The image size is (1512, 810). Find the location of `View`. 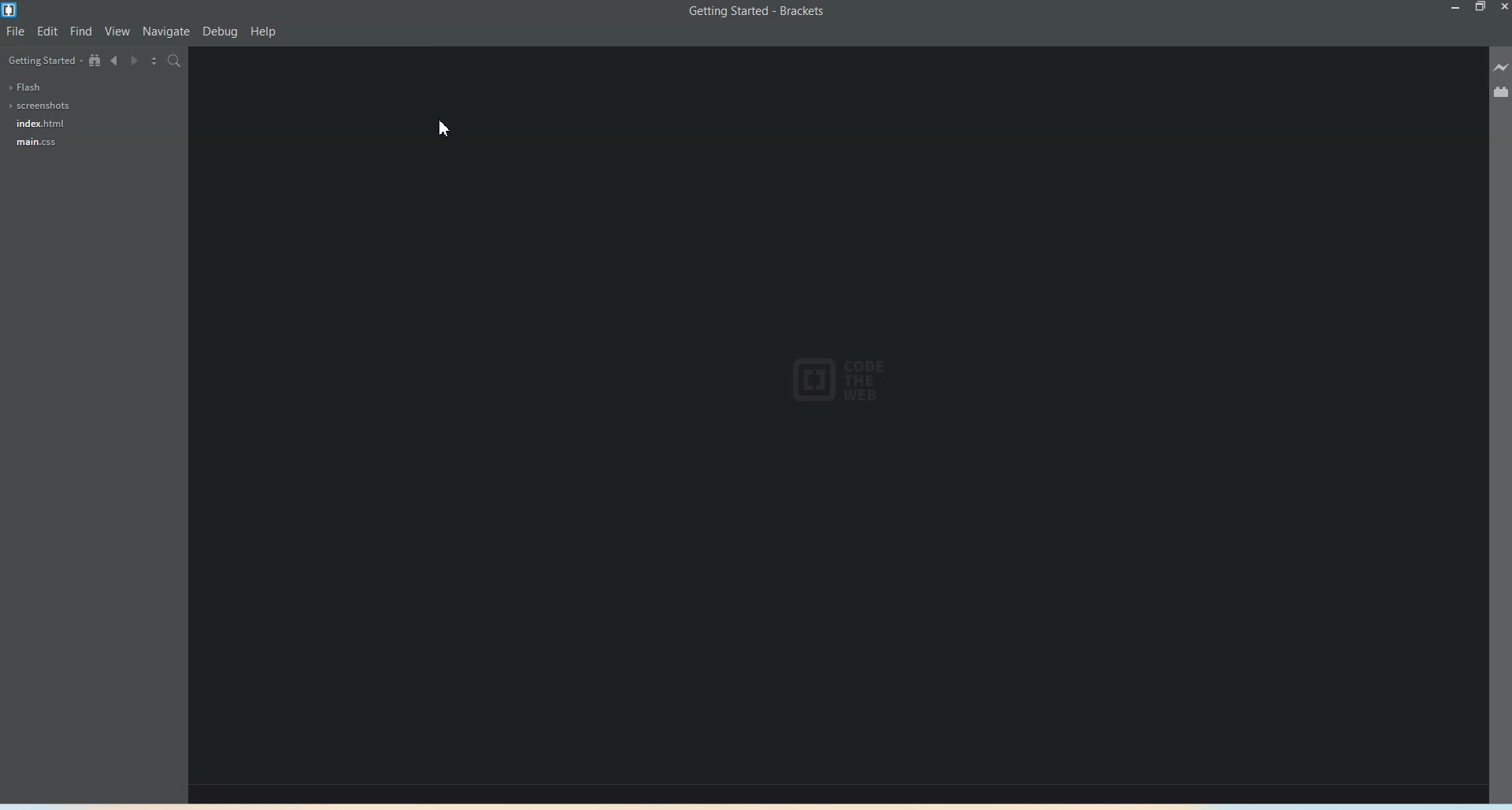

View is located at coordinates (117, 32).